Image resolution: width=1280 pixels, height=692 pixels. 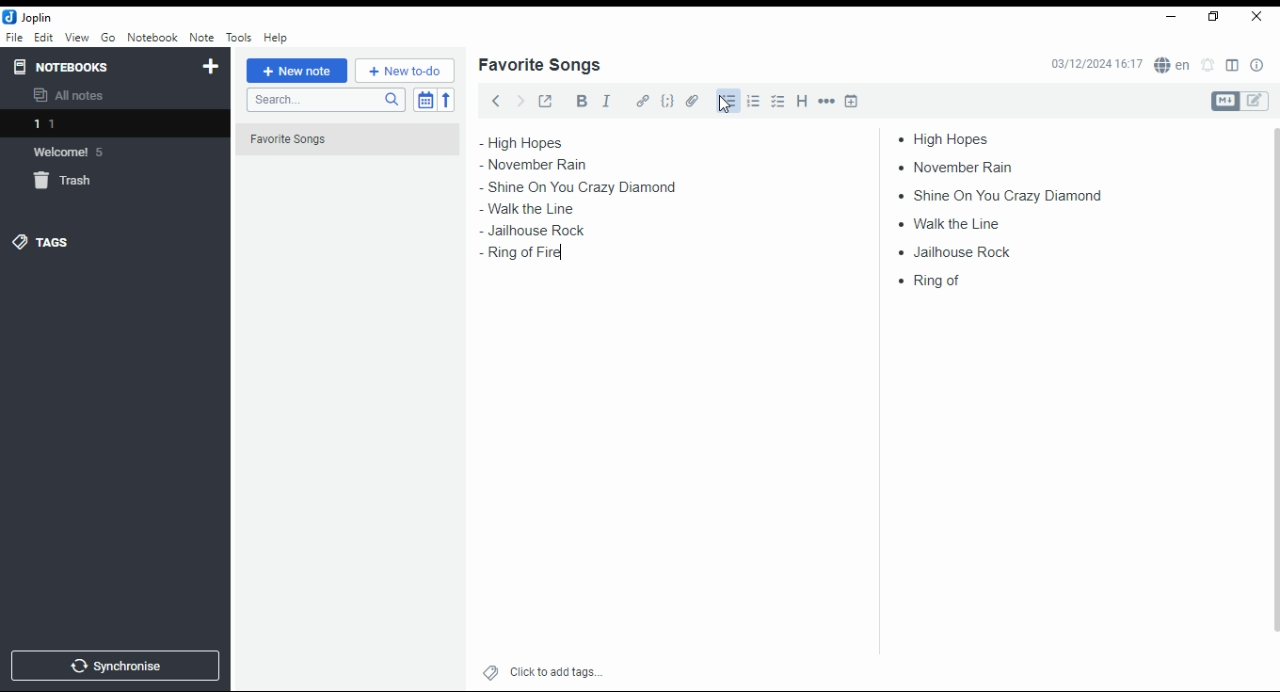 What do you see at coordinates (240, 38) in the screenshot?
I see `tools` at bounding box center [240, 38].